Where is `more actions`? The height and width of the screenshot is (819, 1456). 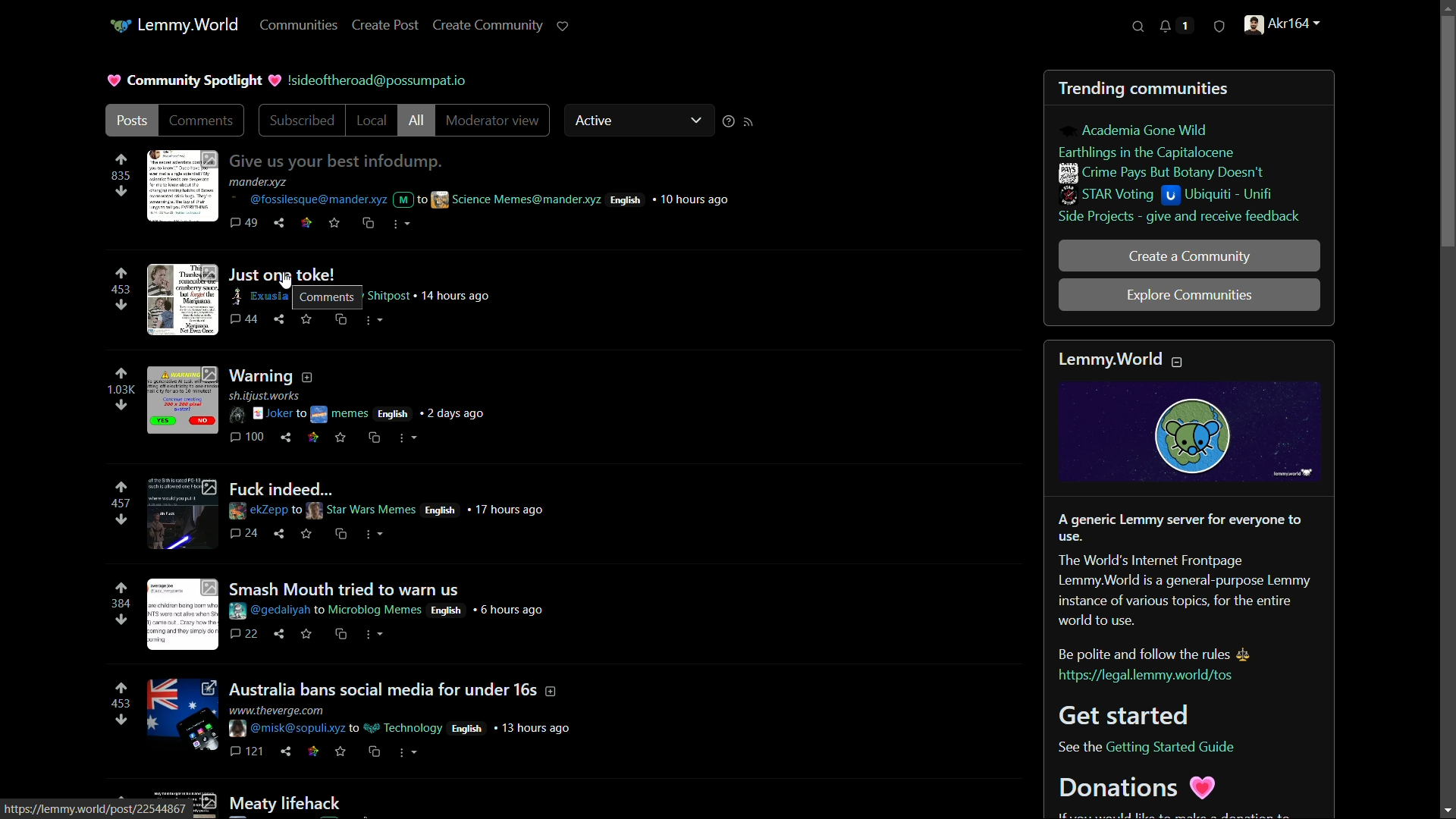
more actions is located at coordinates (401, 225).